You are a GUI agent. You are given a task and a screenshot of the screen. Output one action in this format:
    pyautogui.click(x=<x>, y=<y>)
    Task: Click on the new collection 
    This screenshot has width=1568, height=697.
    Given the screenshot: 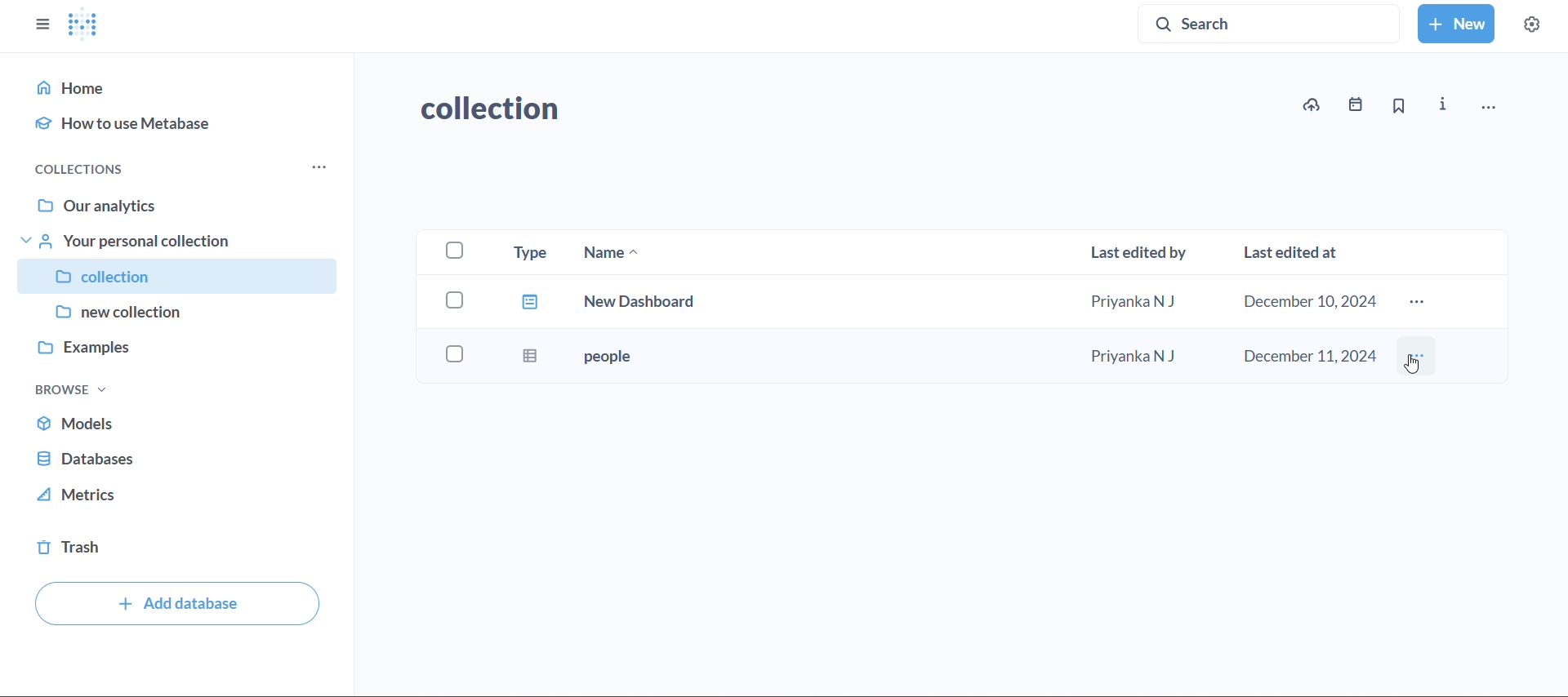 What is the action you would take?
    pyautogui.click(x=179, y=316)
    